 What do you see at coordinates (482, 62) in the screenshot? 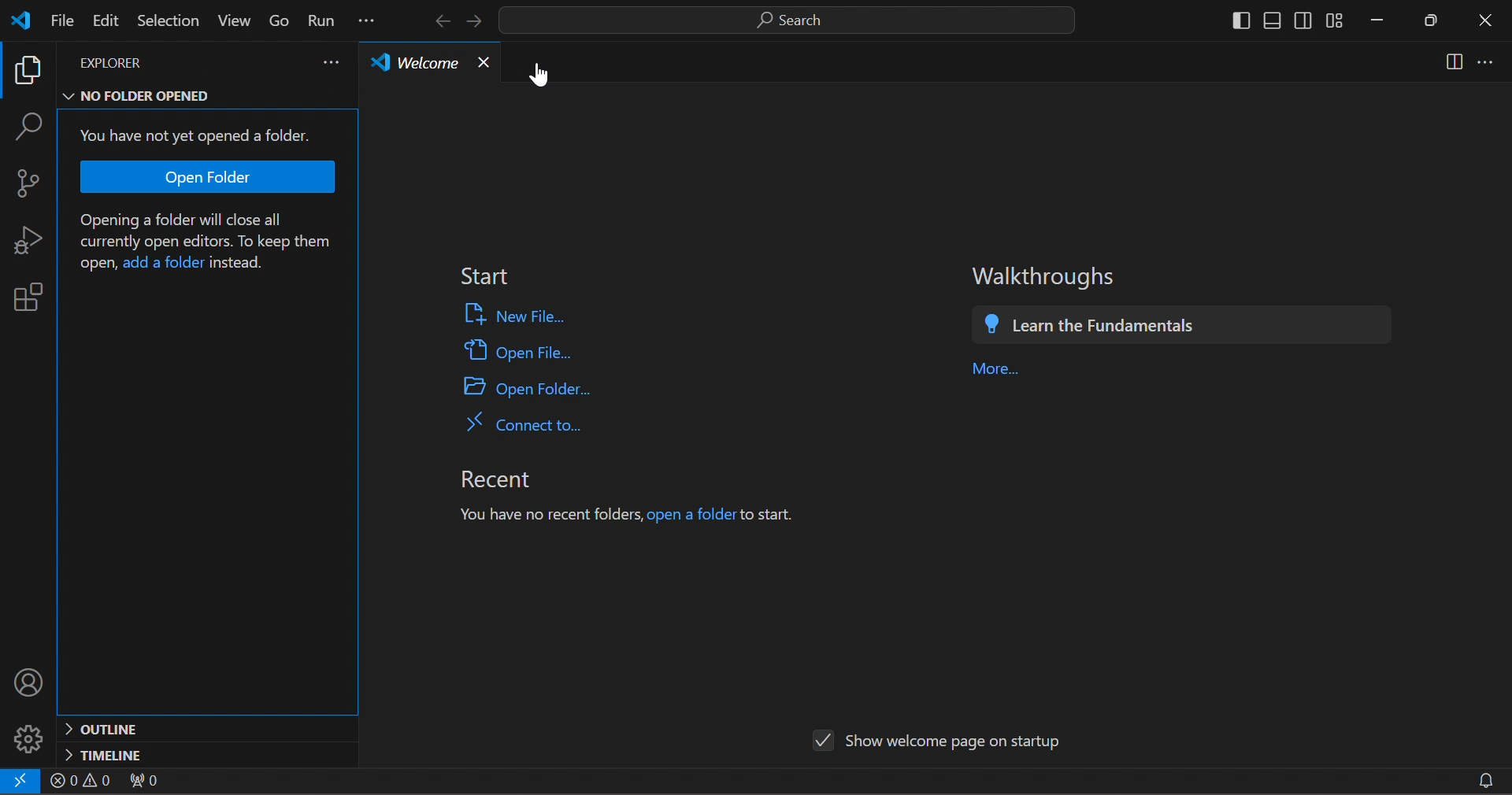
I see `close` at bounding box center [482, 62].